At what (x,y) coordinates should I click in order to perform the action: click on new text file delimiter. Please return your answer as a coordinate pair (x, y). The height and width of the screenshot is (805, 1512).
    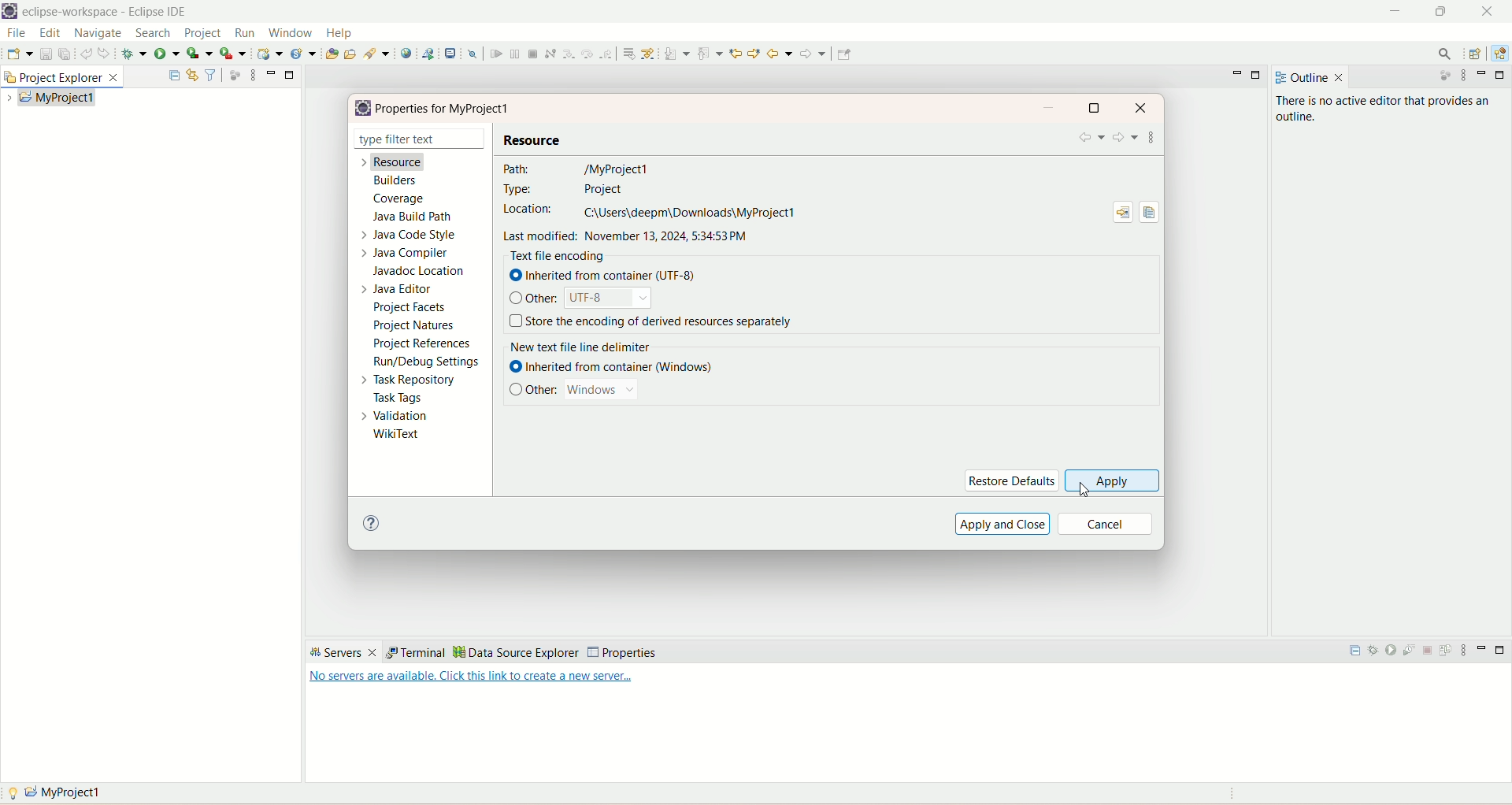
    Looking at the image, I should click on (583, 348).